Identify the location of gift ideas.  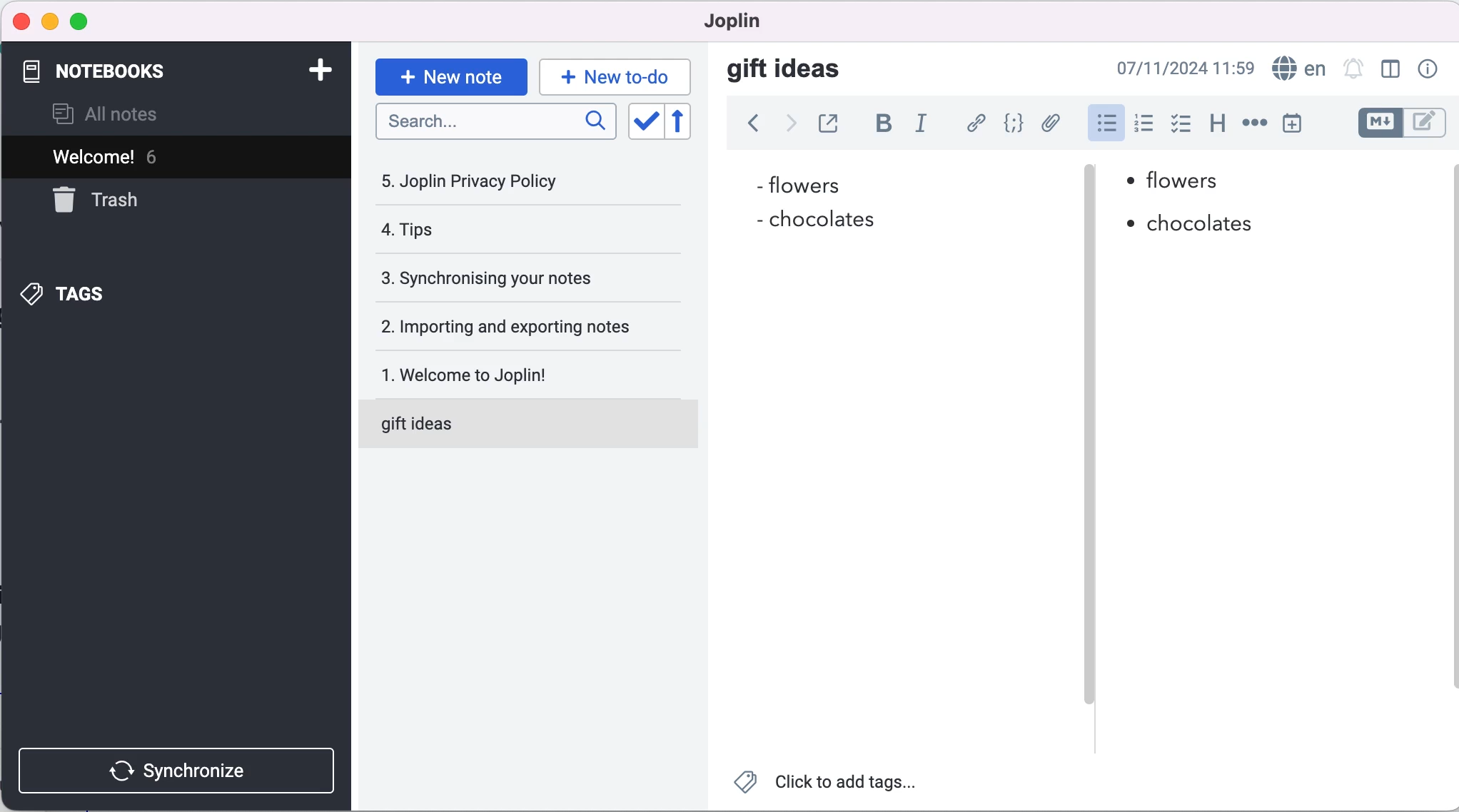
(787, 71).